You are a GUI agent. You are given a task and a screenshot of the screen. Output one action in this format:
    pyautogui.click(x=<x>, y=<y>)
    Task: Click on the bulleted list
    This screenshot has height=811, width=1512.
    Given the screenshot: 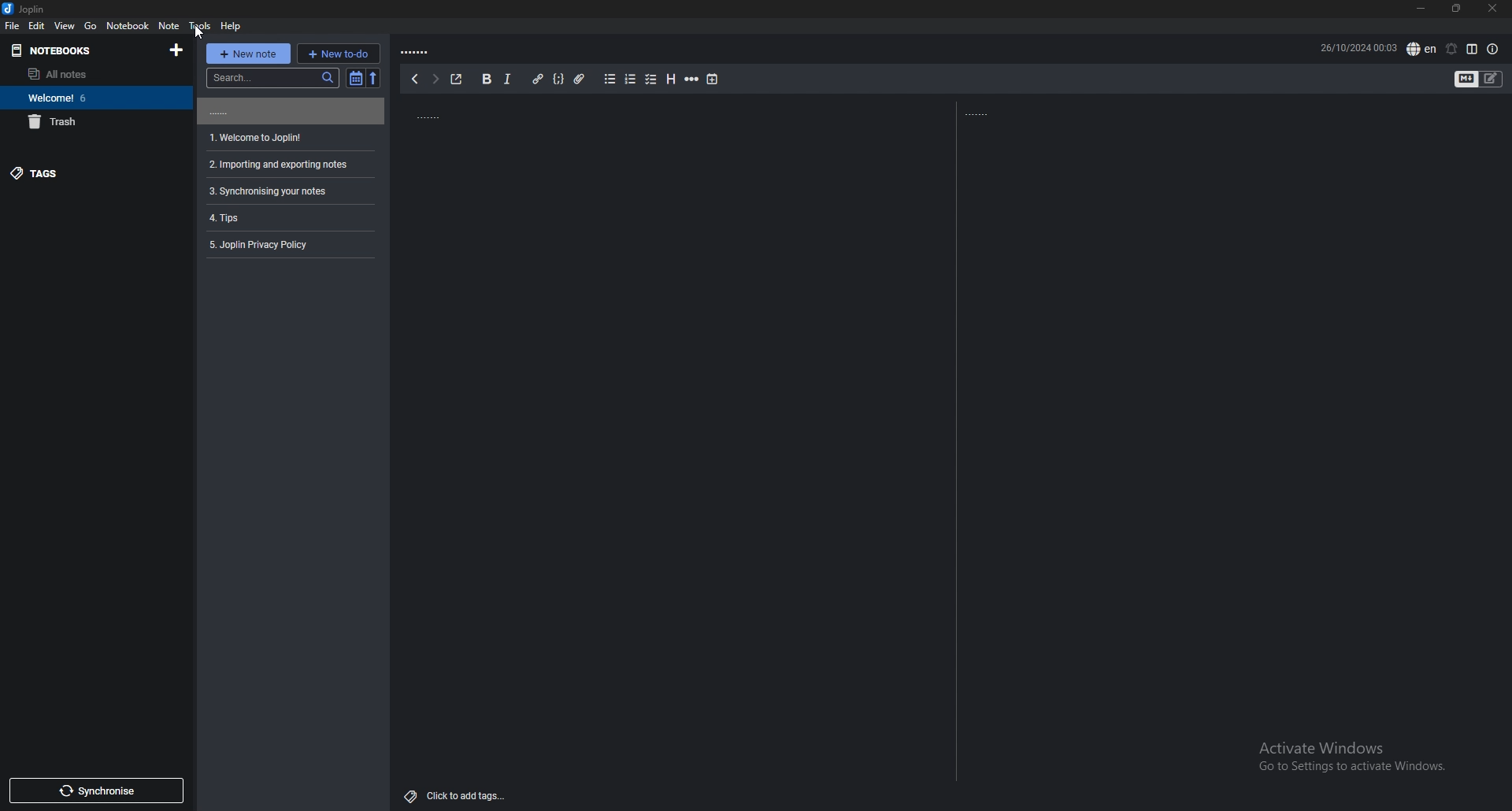 What is the action you would take?
    pyautogui.click(x=611, y=79)
    